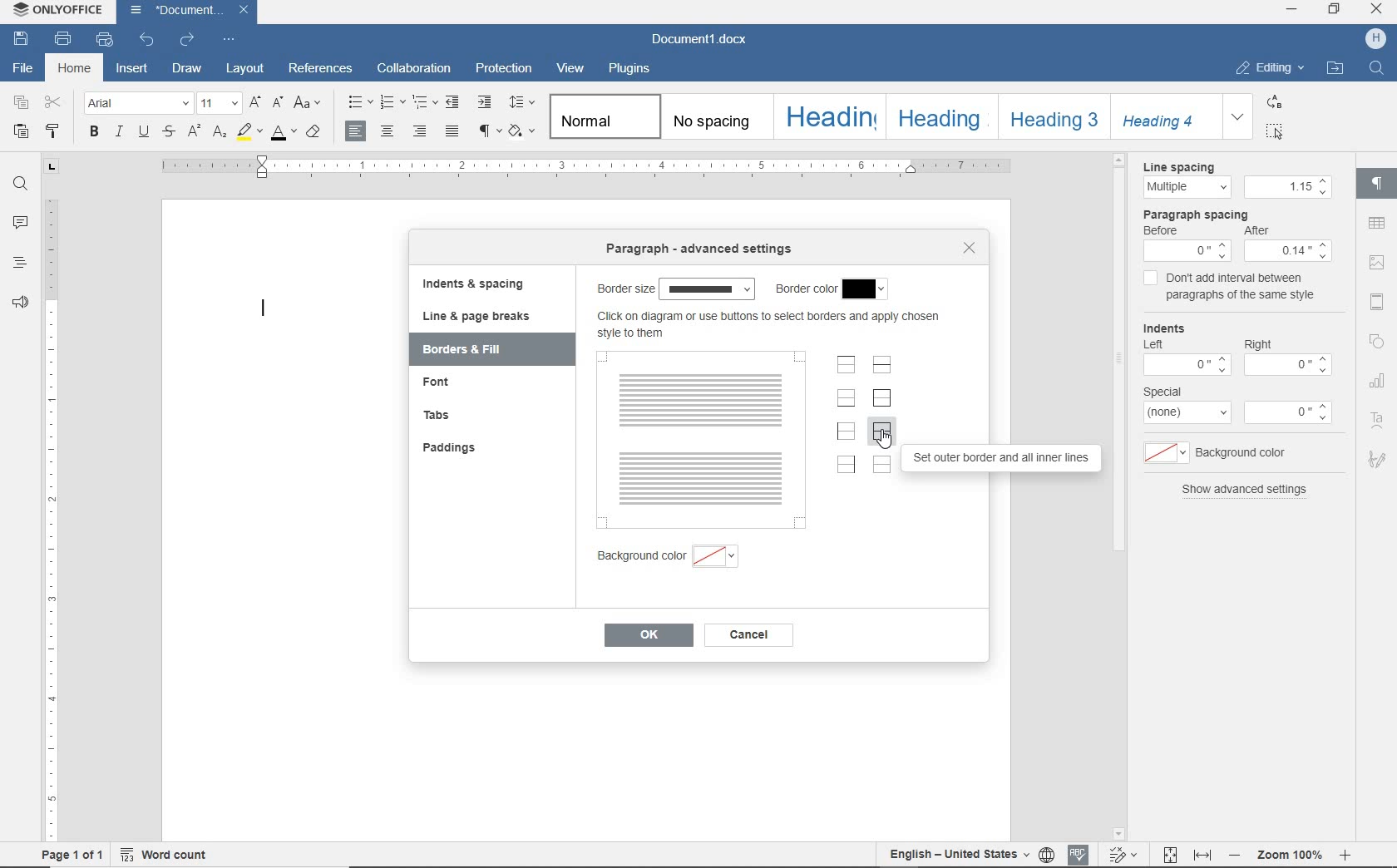 The height and width of the screenshot is (868, 1397). I want to click on Fit to page, so click(1170, 855).